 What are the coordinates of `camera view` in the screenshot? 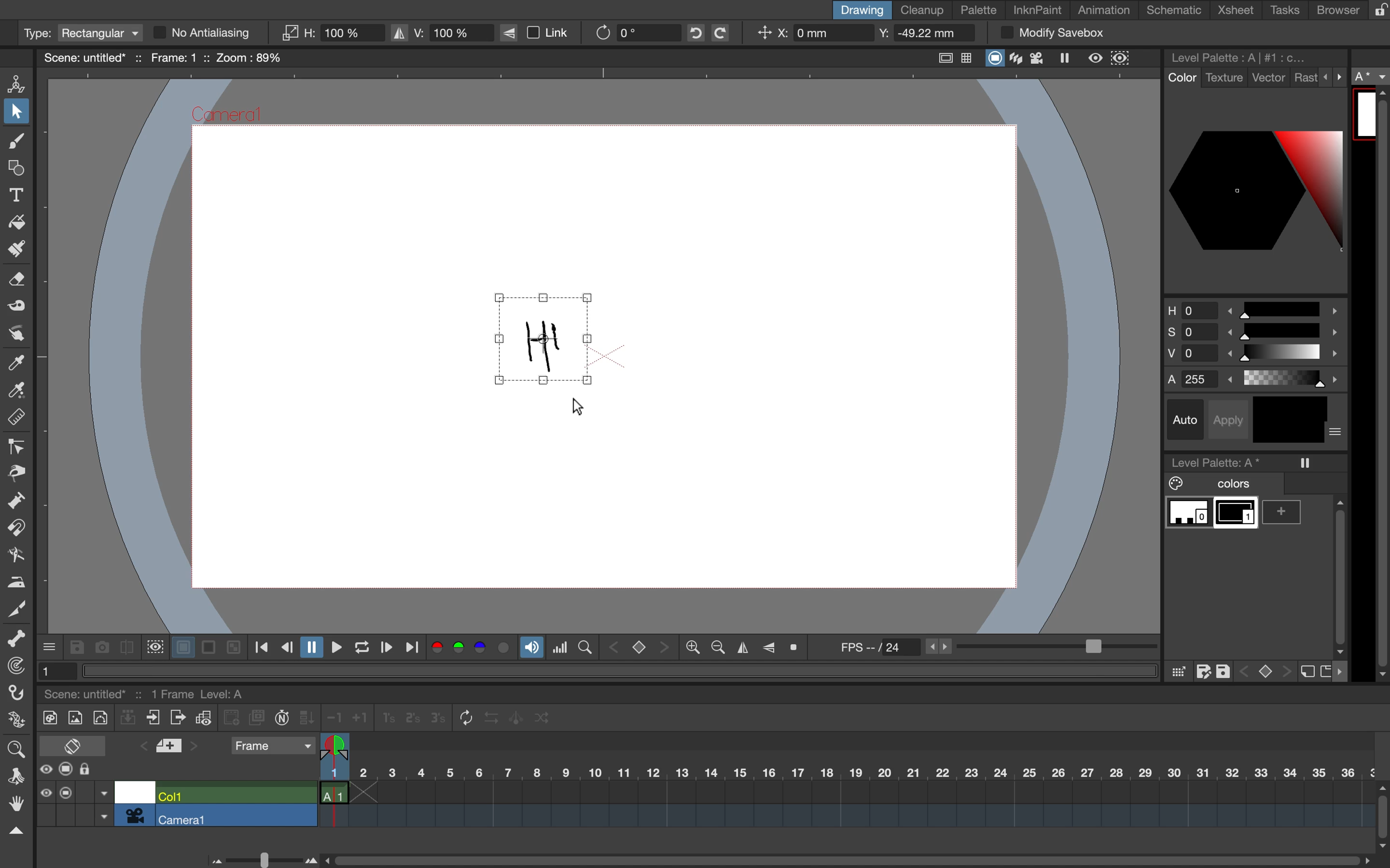 It's located at (1039, 58).